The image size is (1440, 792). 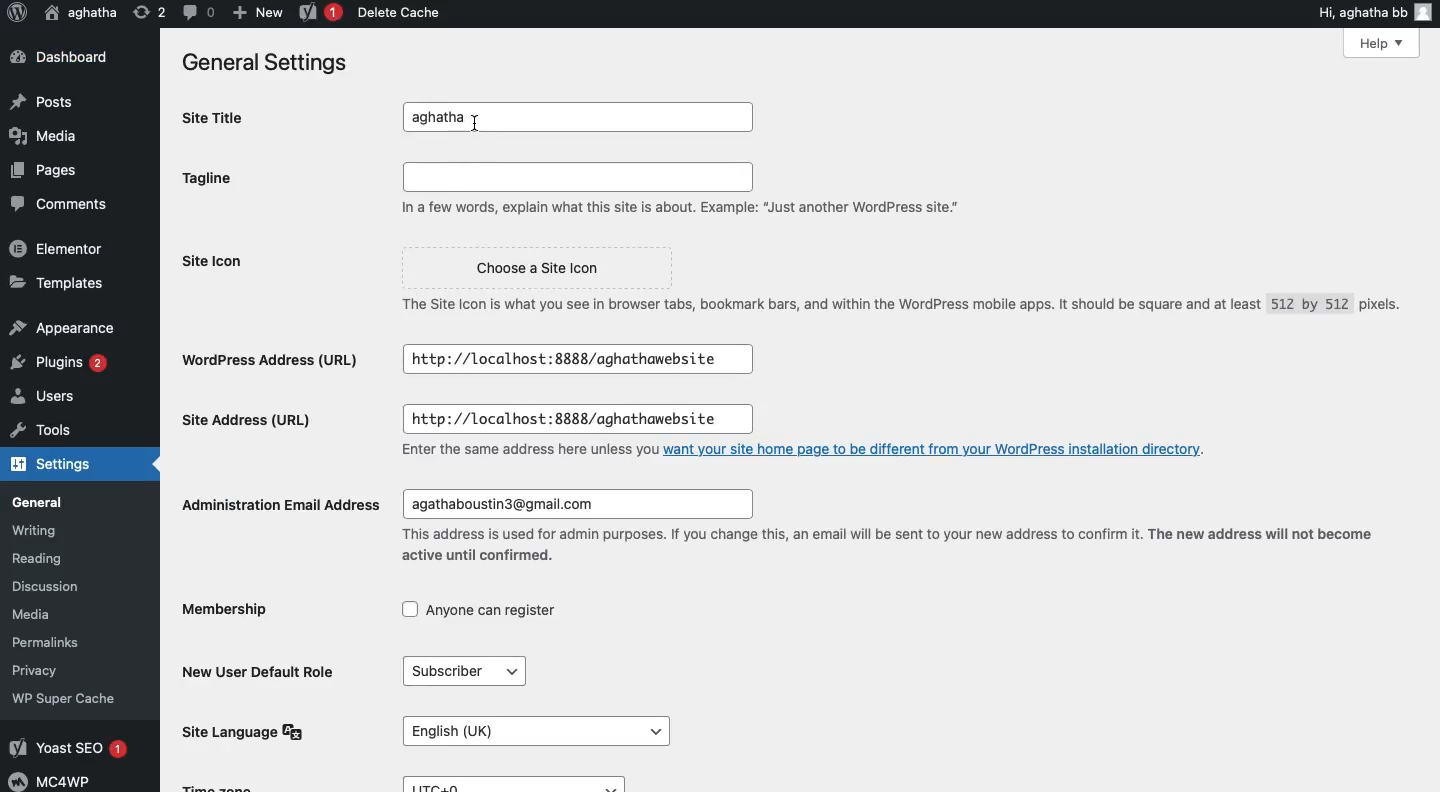 What do you see at coordinates (50, 640) in the screenshot?
I see `Permalinks` at bounding box center [50, 640].